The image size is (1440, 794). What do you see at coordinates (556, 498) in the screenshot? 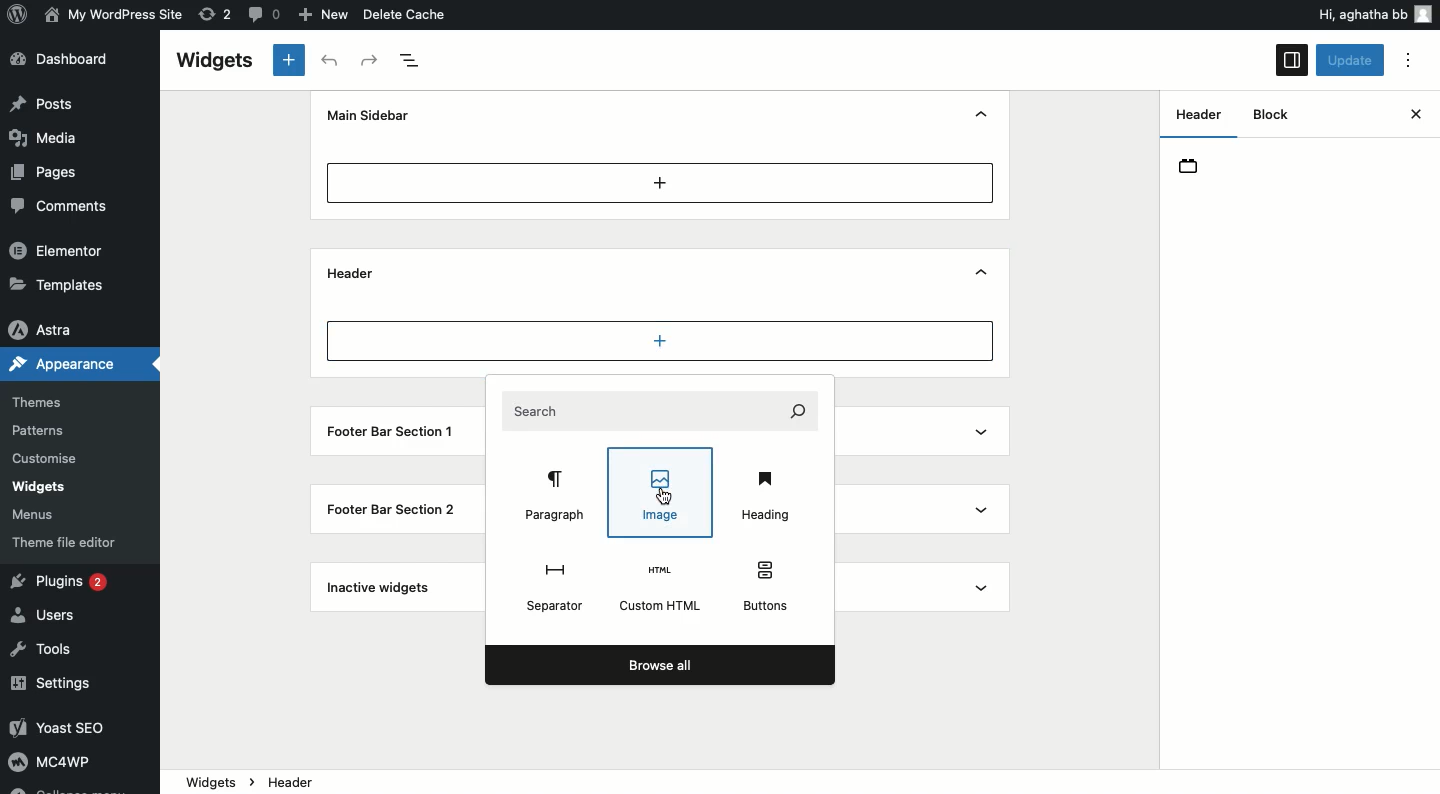
I see `Paragraph` at bounding box center [556, 498].